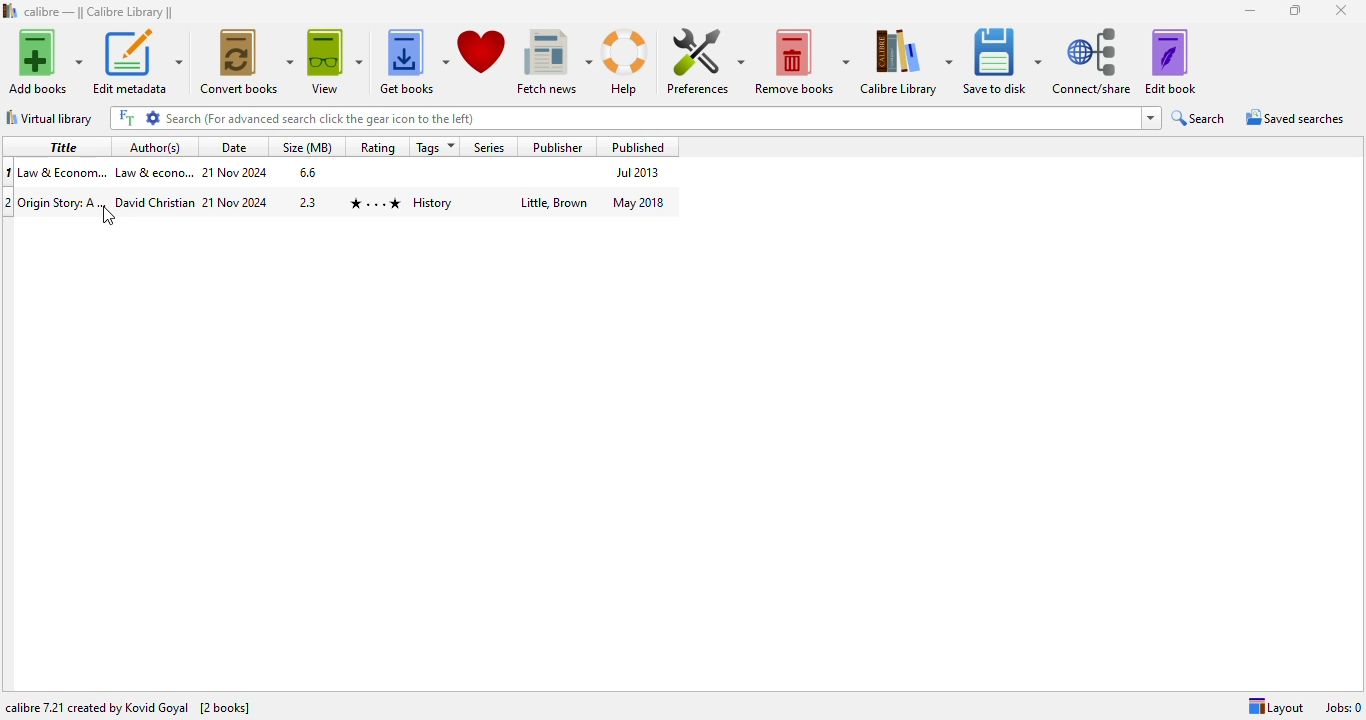 Image resolution: width=1366 pixels, height=720 pixels. I want to click on layout, so click(1276, 707).